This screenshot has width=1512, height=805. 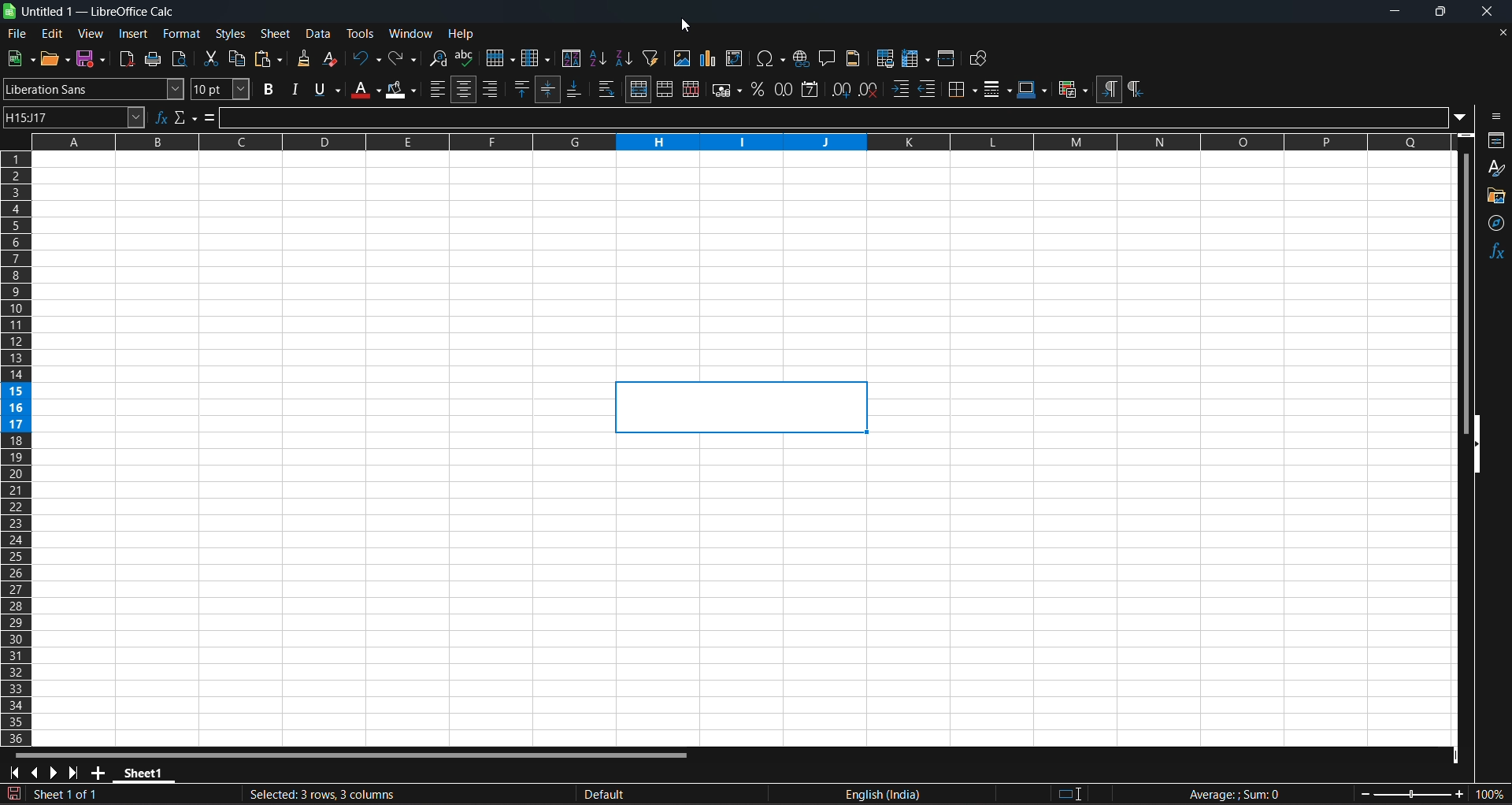 What do you see at coordinates (1494, 224) in the screenshot?
I see `navigator` at bounding box center [1494, 224].